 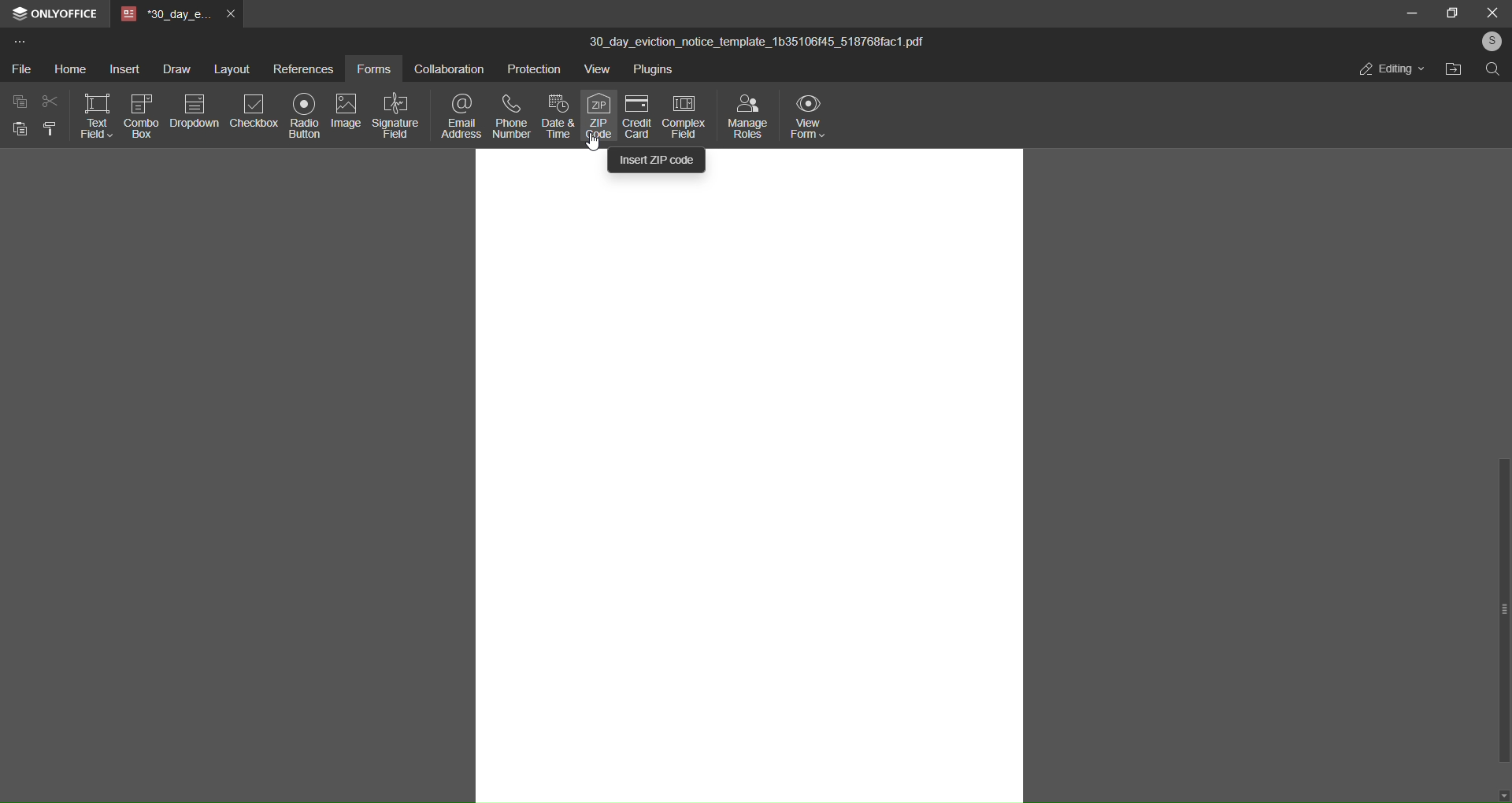 What do you see at coordinates (50, 130) in the screenshot?
I see `format` at bounding box center [50, 130].